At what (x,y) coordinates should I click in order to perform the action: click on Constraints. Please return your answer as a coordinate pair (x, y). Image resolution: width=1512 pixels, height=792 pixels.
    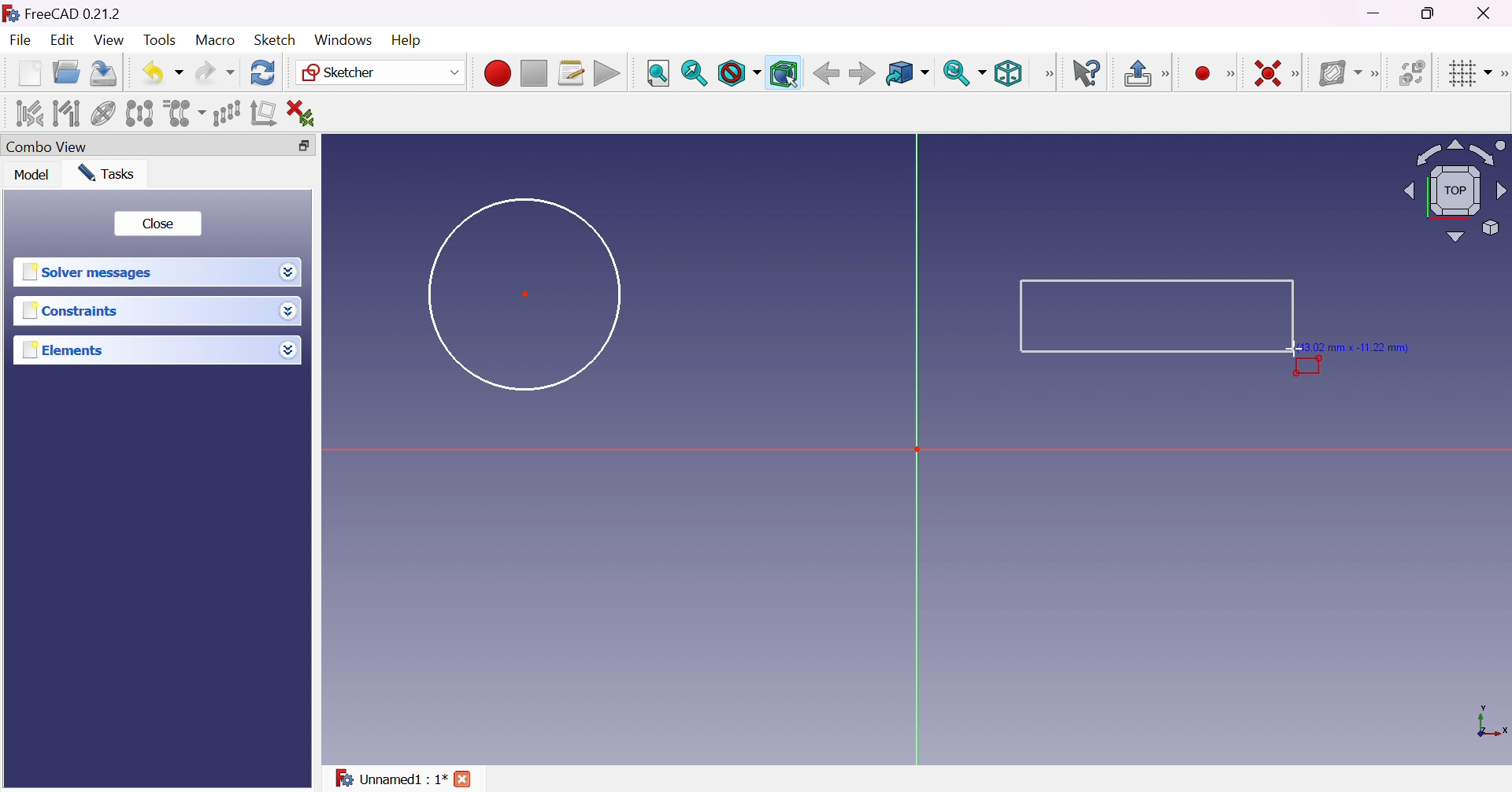
    Looking at the image, I should click on (71, 312).